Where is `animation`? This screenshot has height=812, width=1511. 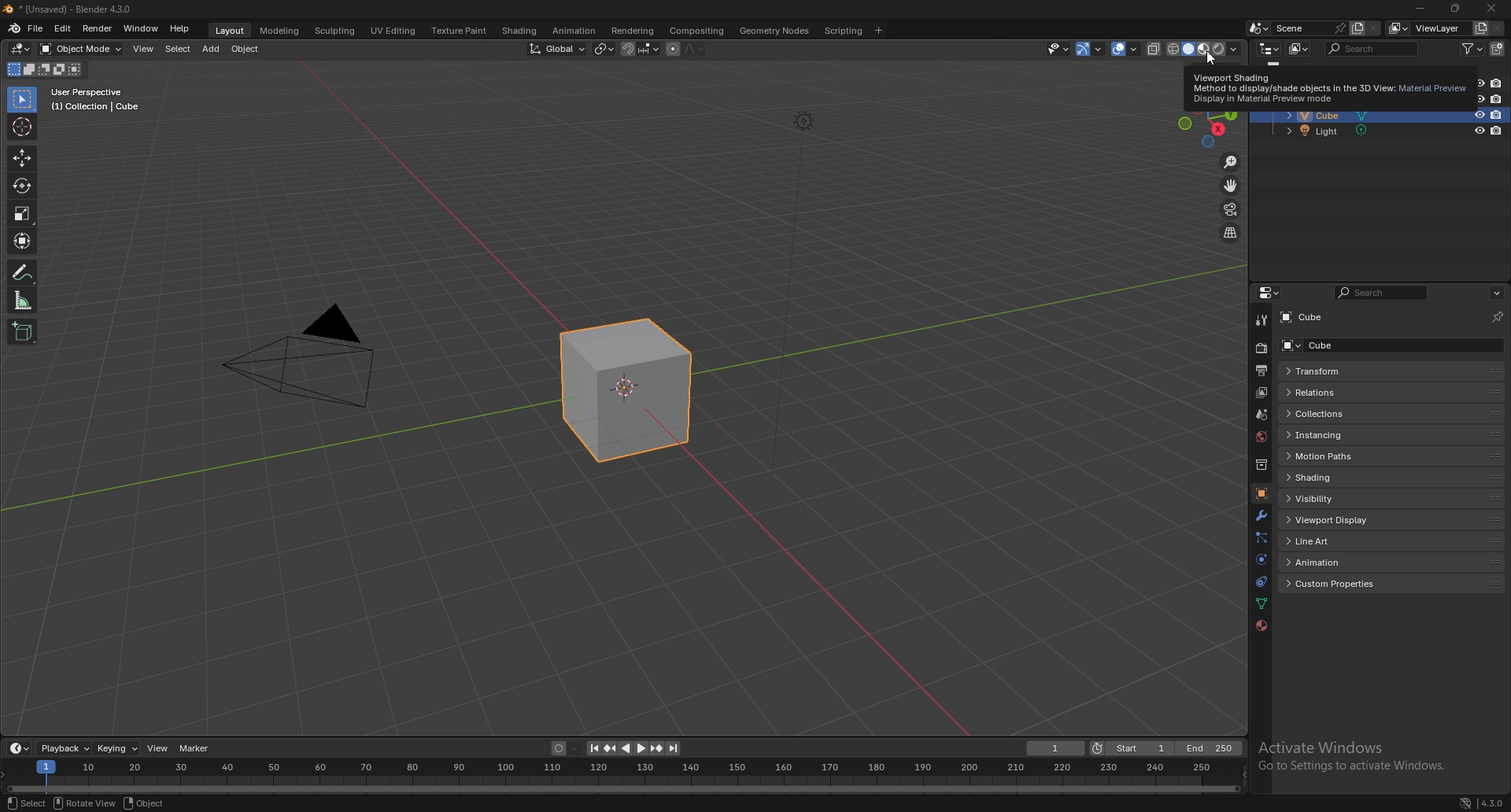
animation is located at coordinates (1346, 562).